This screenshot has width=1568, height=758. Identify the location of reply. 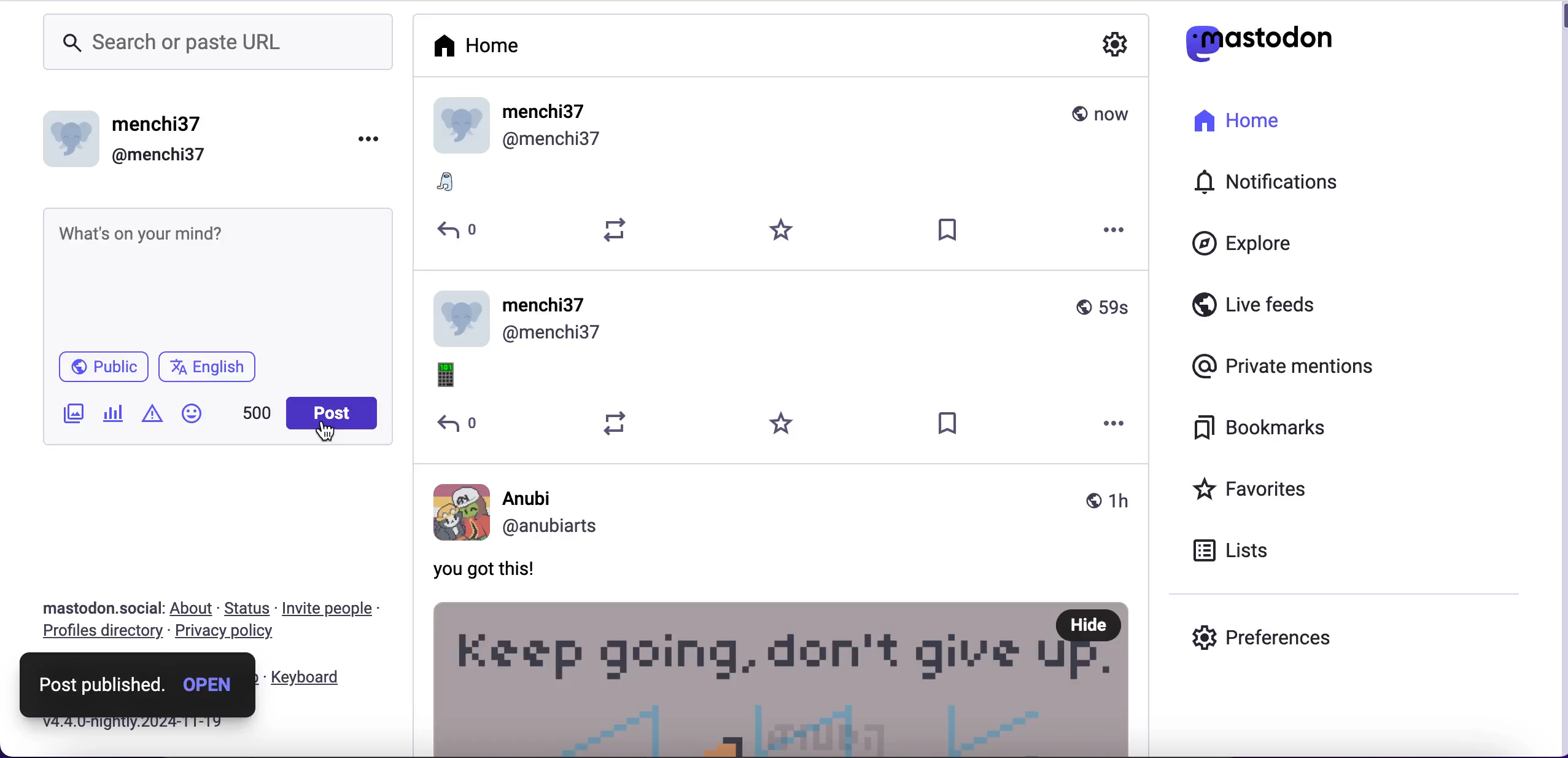
(458, 425).